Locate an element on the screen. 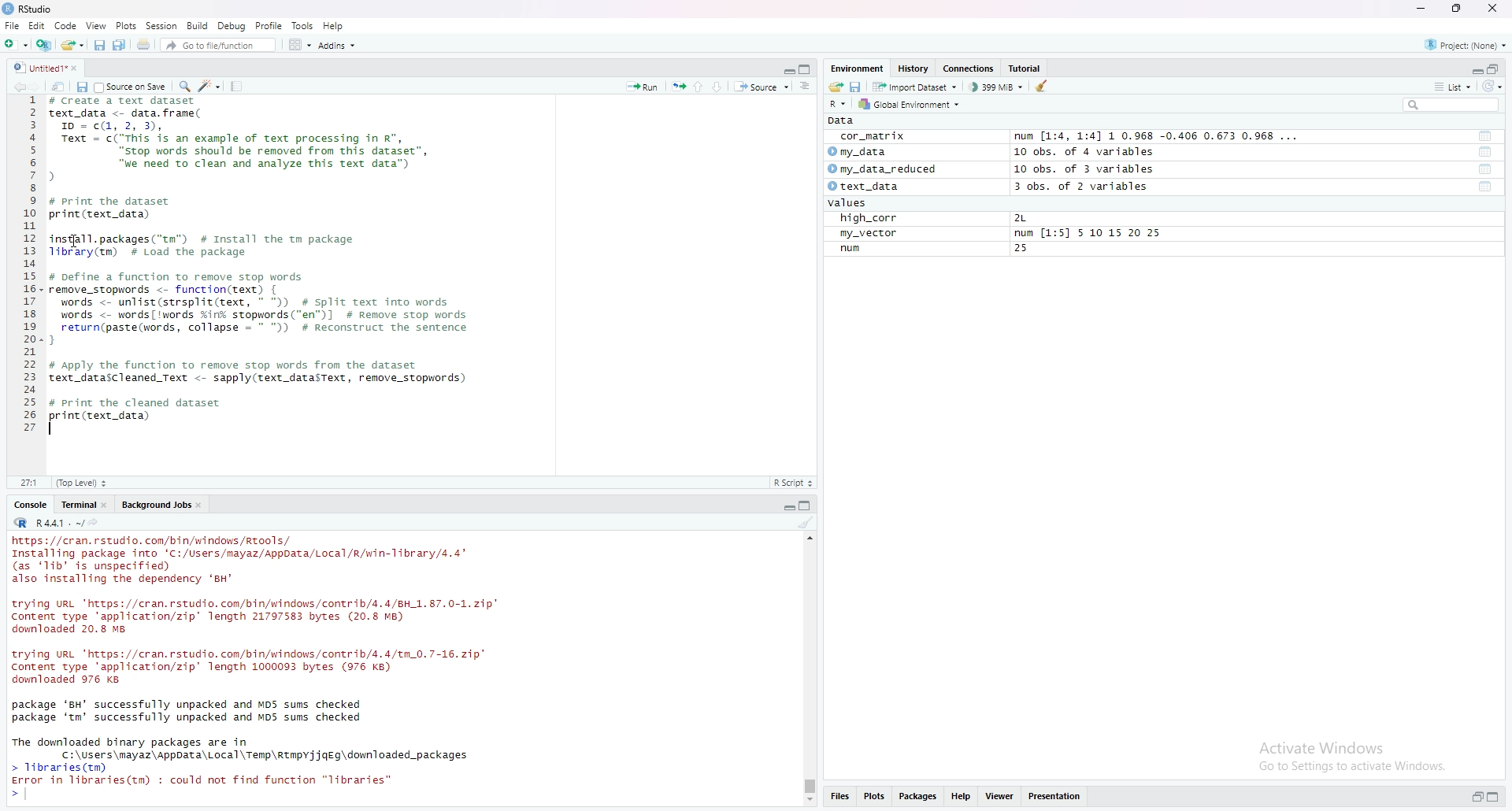 Image resolution: width=1512 pixels, height=811 pixels. cor_matrix is located at coordinates (872, 136).